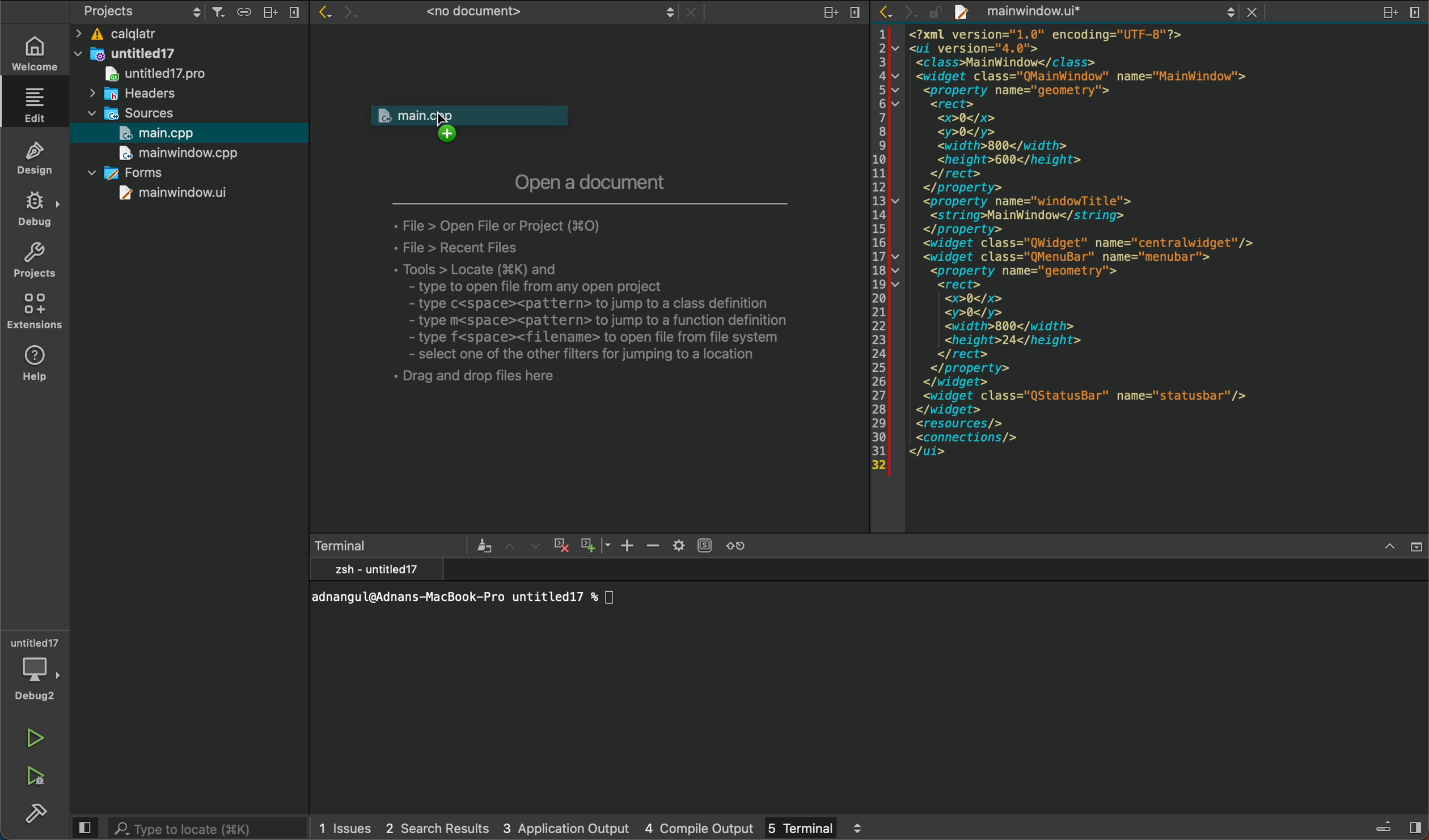  What do you see at coordinates (1415, 548) in the screenshot?
I see `close` at bounding box center [1415, 548].